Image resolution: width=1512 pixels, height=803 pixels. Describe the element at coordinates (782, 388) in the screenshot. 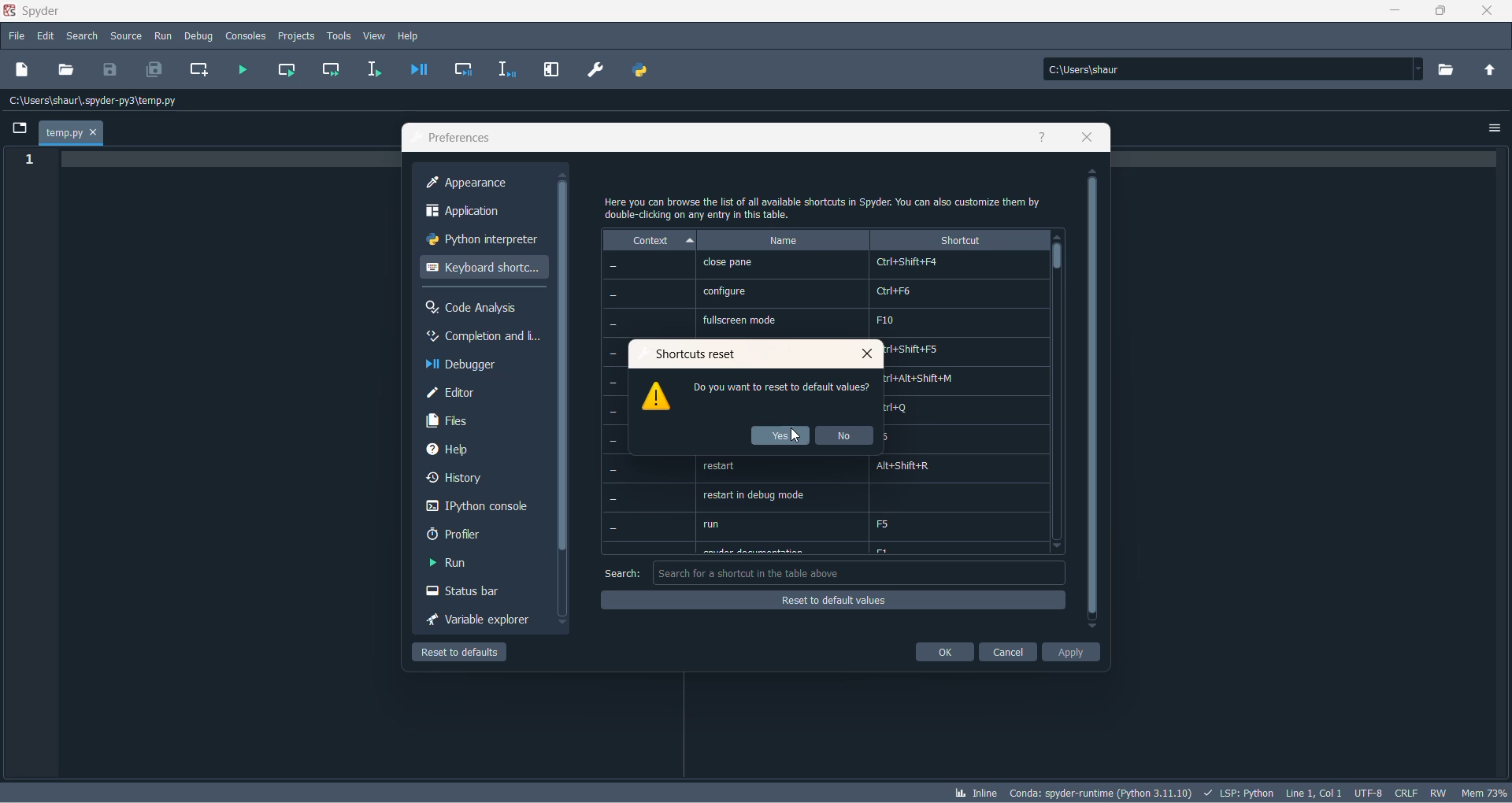

I see `text` at that location.